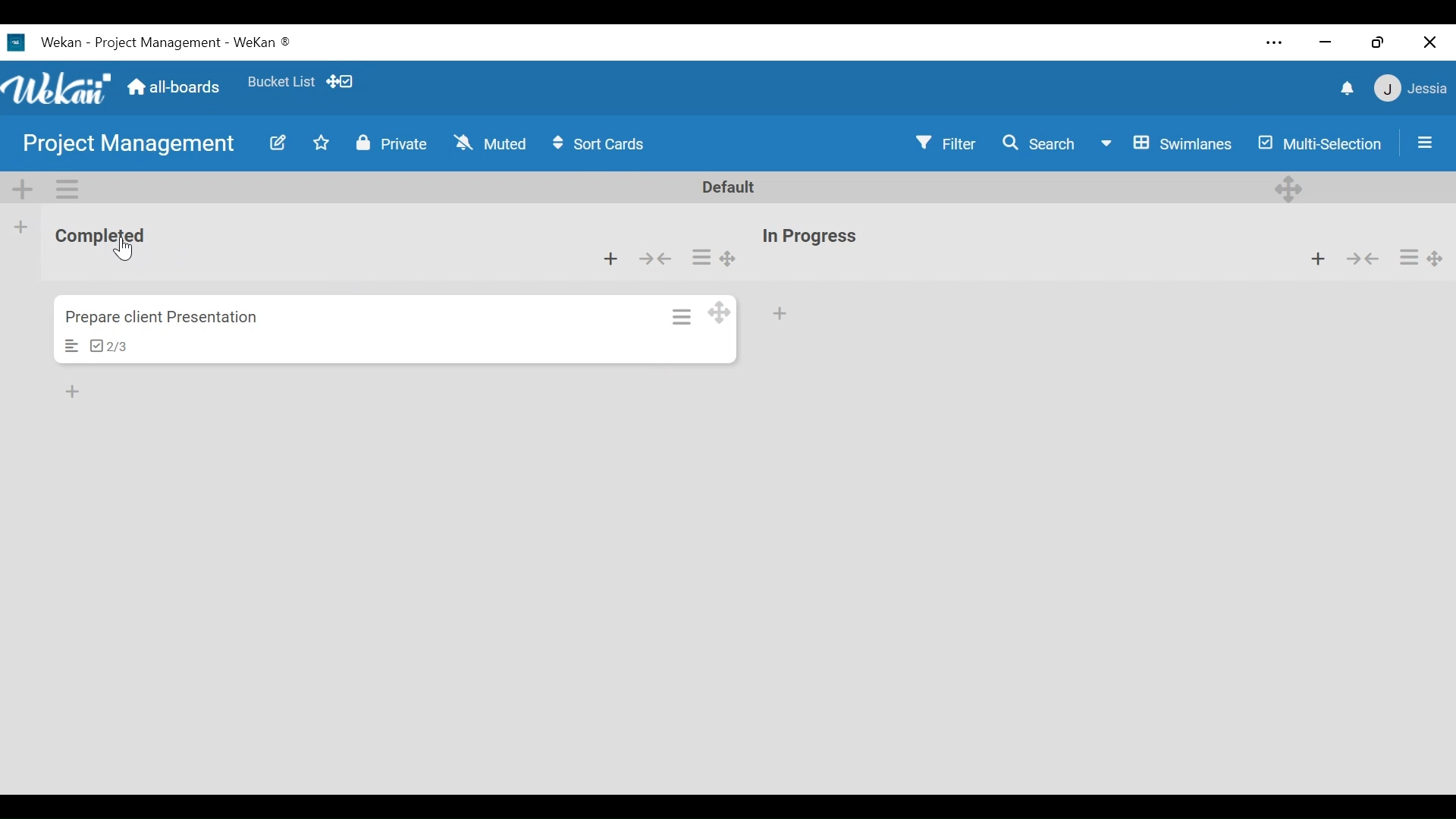  Describe the element at coordinates (115, 237) in the screenshot. I see `List Title` at that location.